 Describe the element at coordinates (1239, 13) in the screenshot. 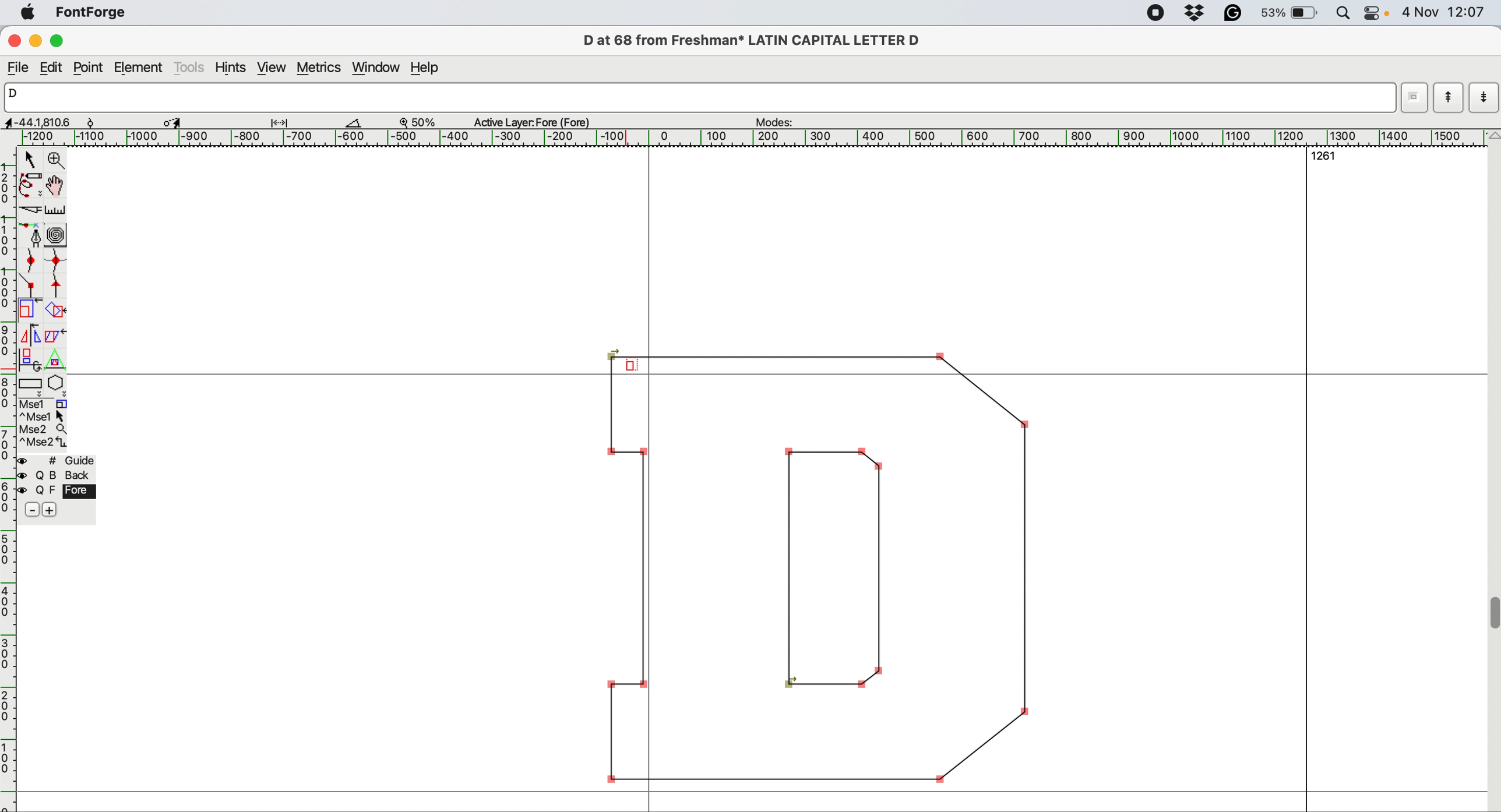

I see `grammarly` at that location.